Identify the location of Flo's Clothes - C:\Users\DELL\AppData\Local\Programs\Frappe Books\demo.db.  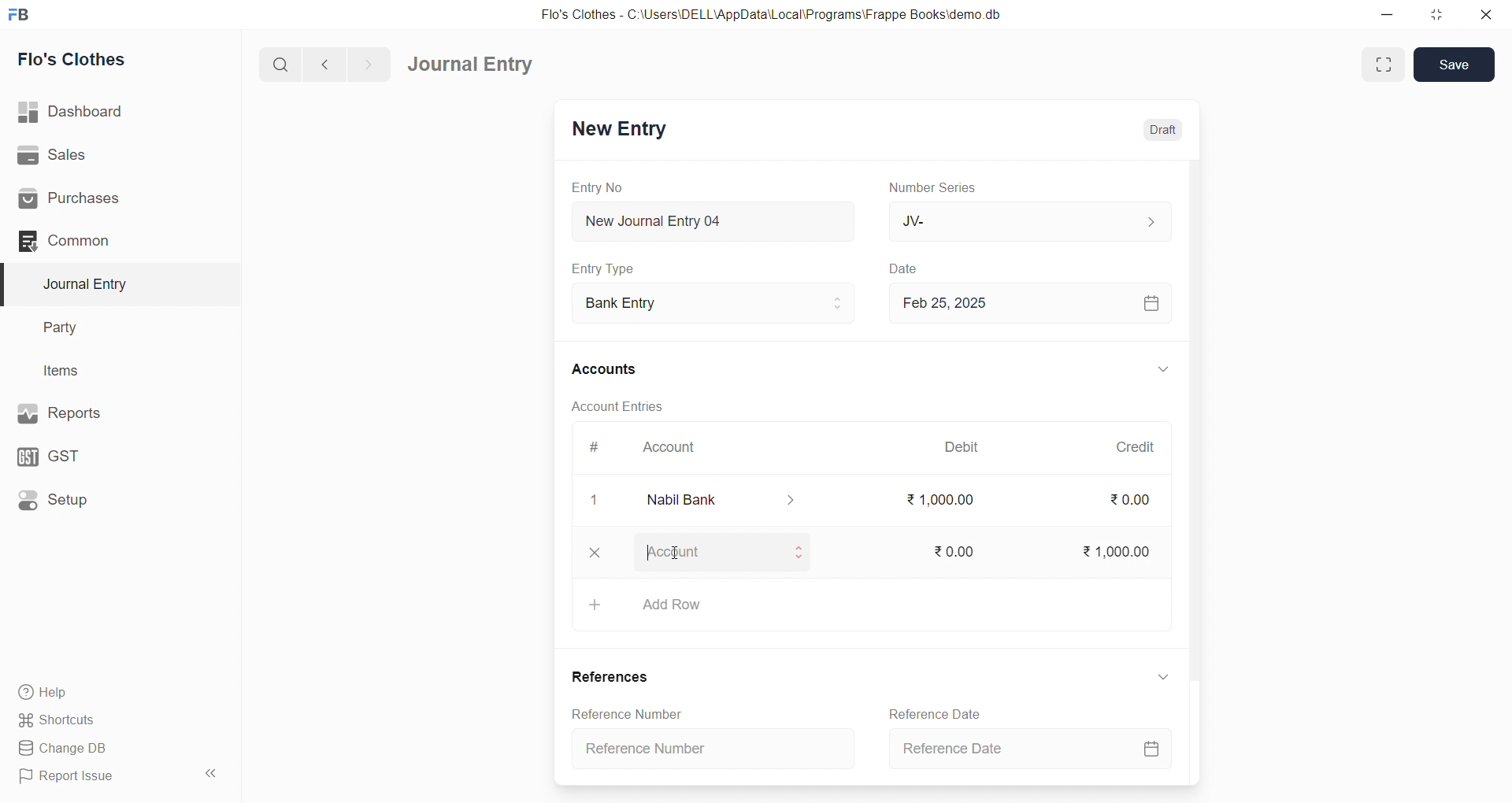
(783, 16).